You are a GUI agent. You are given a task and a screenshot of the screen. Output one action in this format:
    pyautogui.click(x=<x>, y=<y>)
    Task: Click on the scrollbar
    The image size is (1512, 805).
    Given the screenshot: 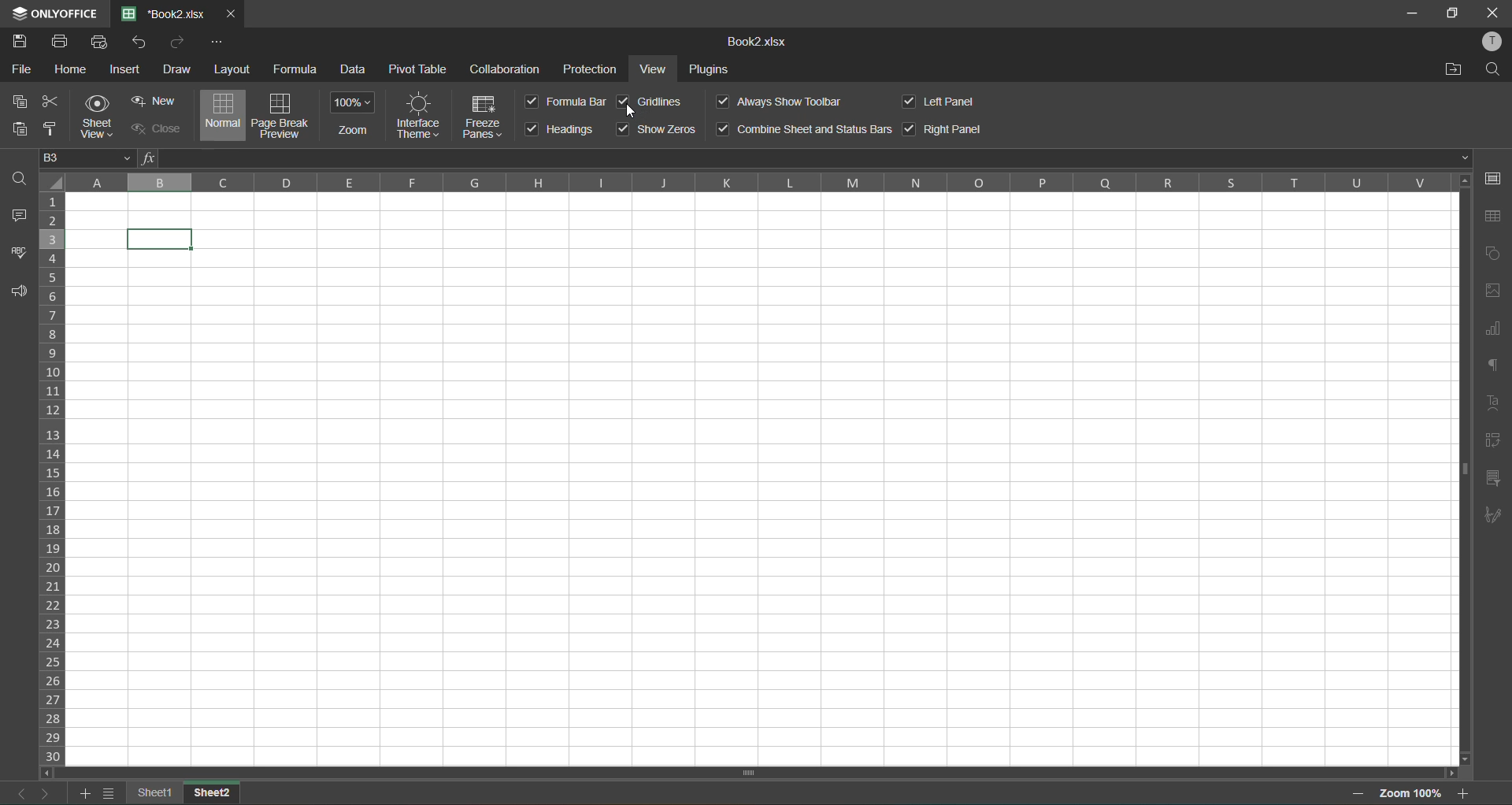 What is the action you would take?
    pyautogui.click(x=1464, y=472)
    